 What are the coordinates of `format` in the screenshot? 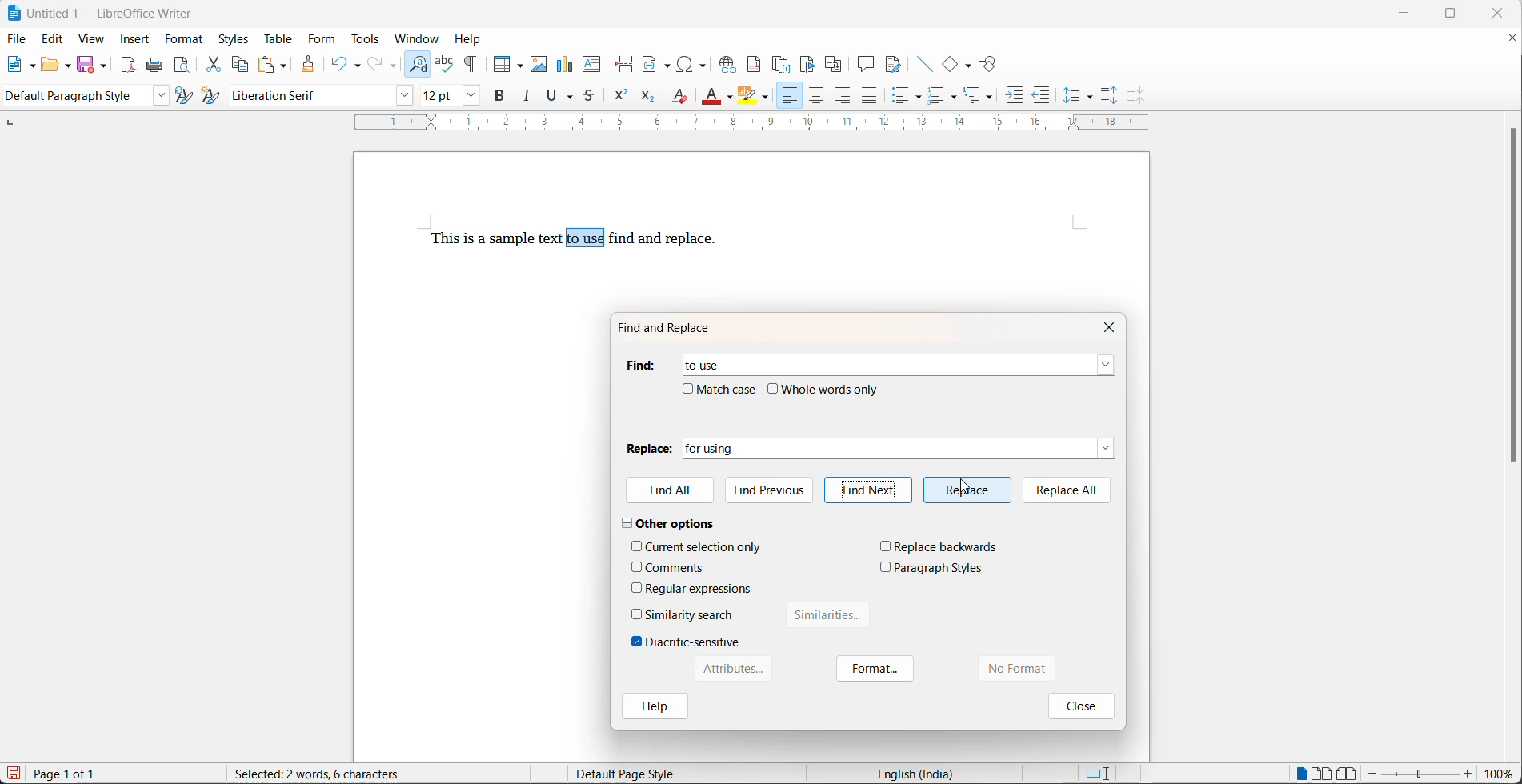 It's located at (876, 670).